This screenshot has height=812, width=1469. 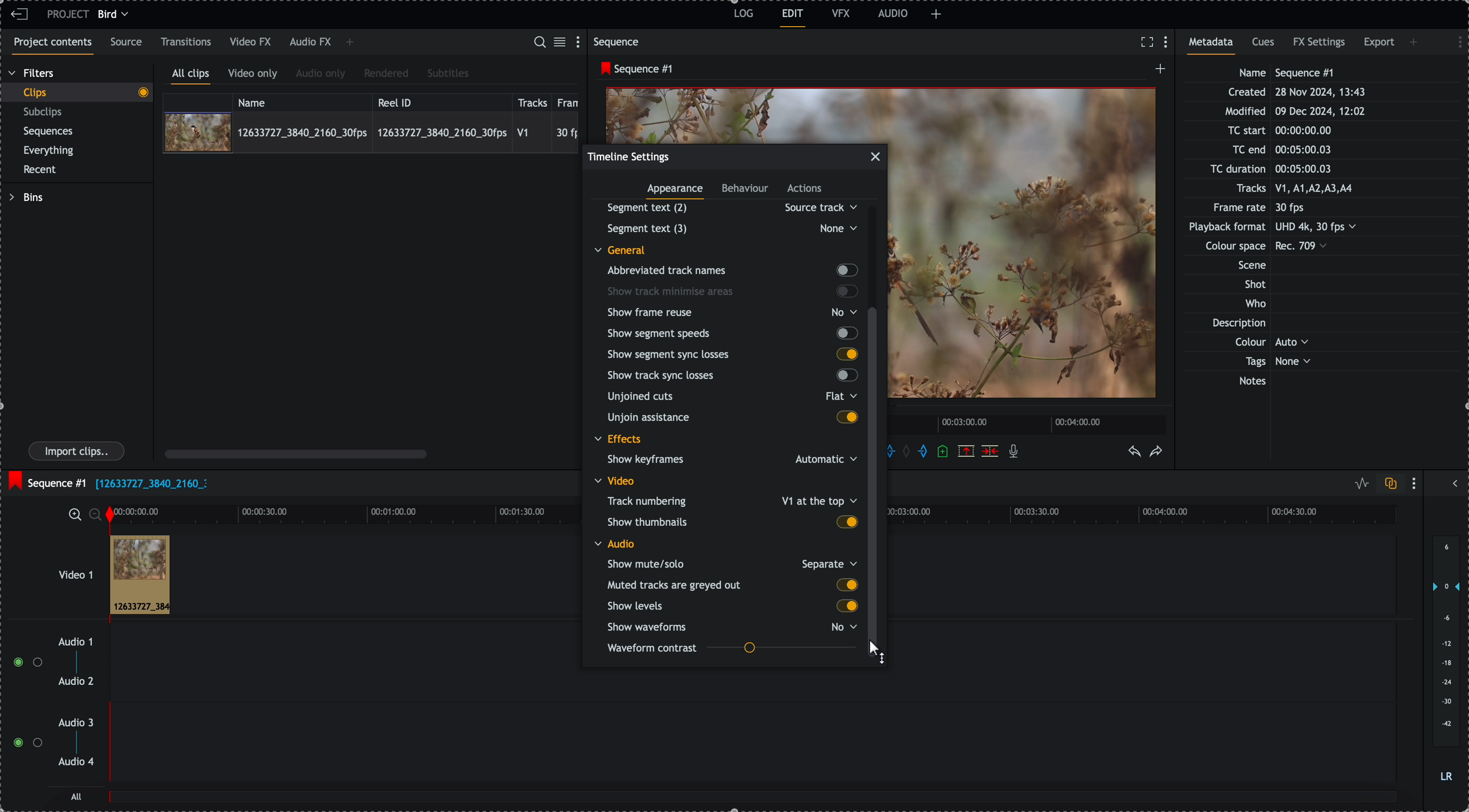 I want to click on abbreviated track names, so click(x=731, y=271).